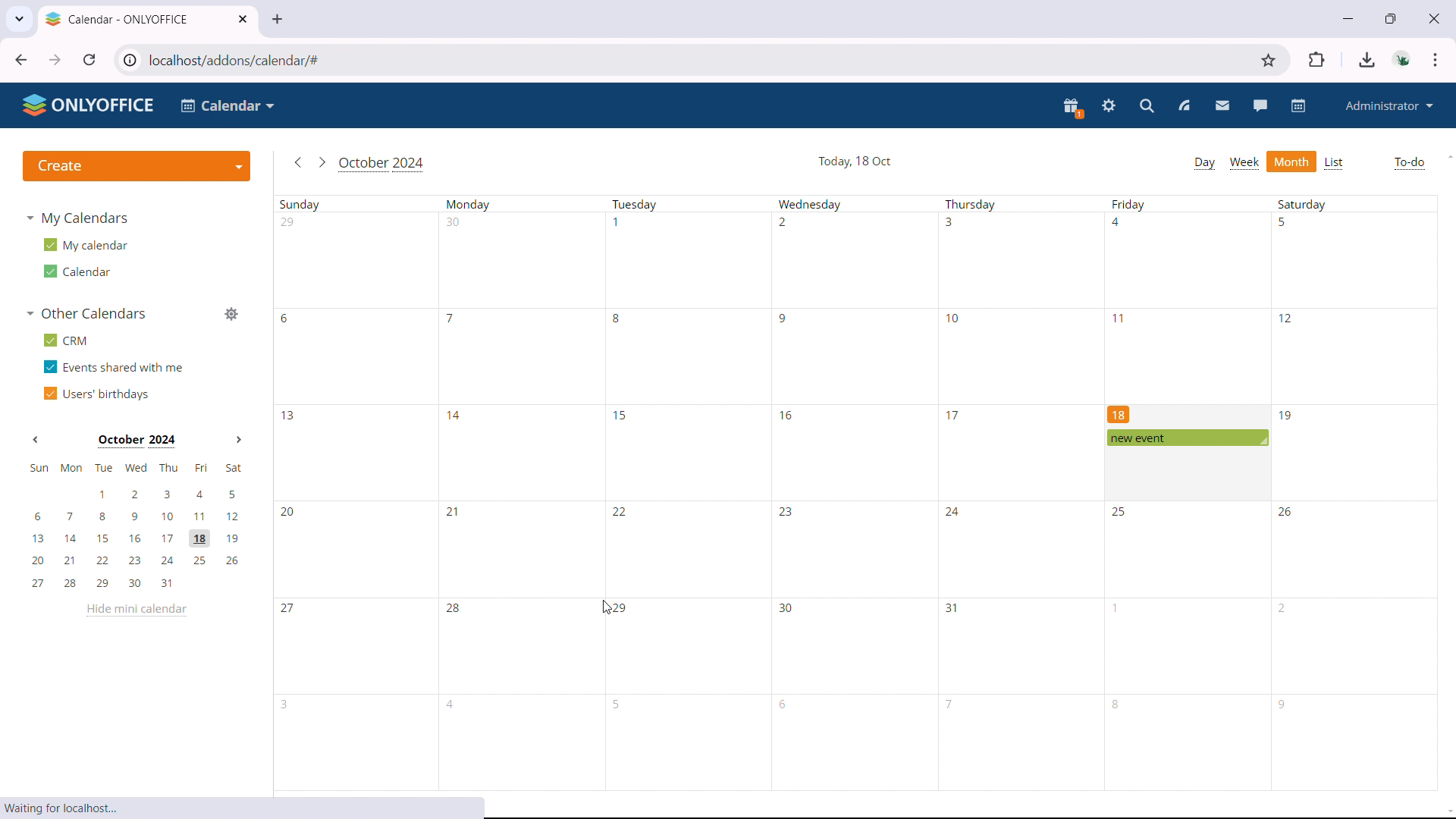 The width and height of the screenshot is (1456, 819). I want to click on 29, so click(289, 221).